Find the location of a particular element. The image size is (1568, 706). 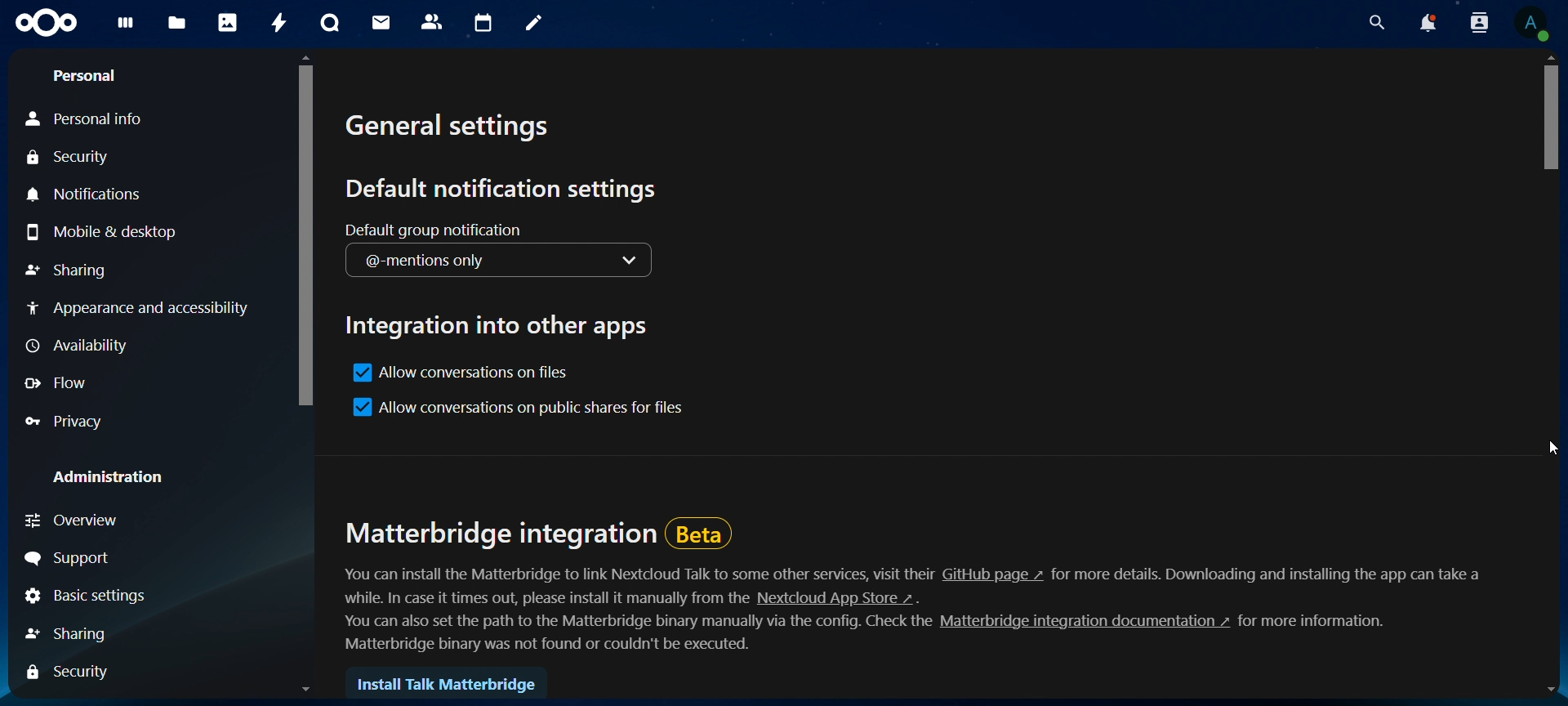

view profile is located at coordinates (1534, 25).